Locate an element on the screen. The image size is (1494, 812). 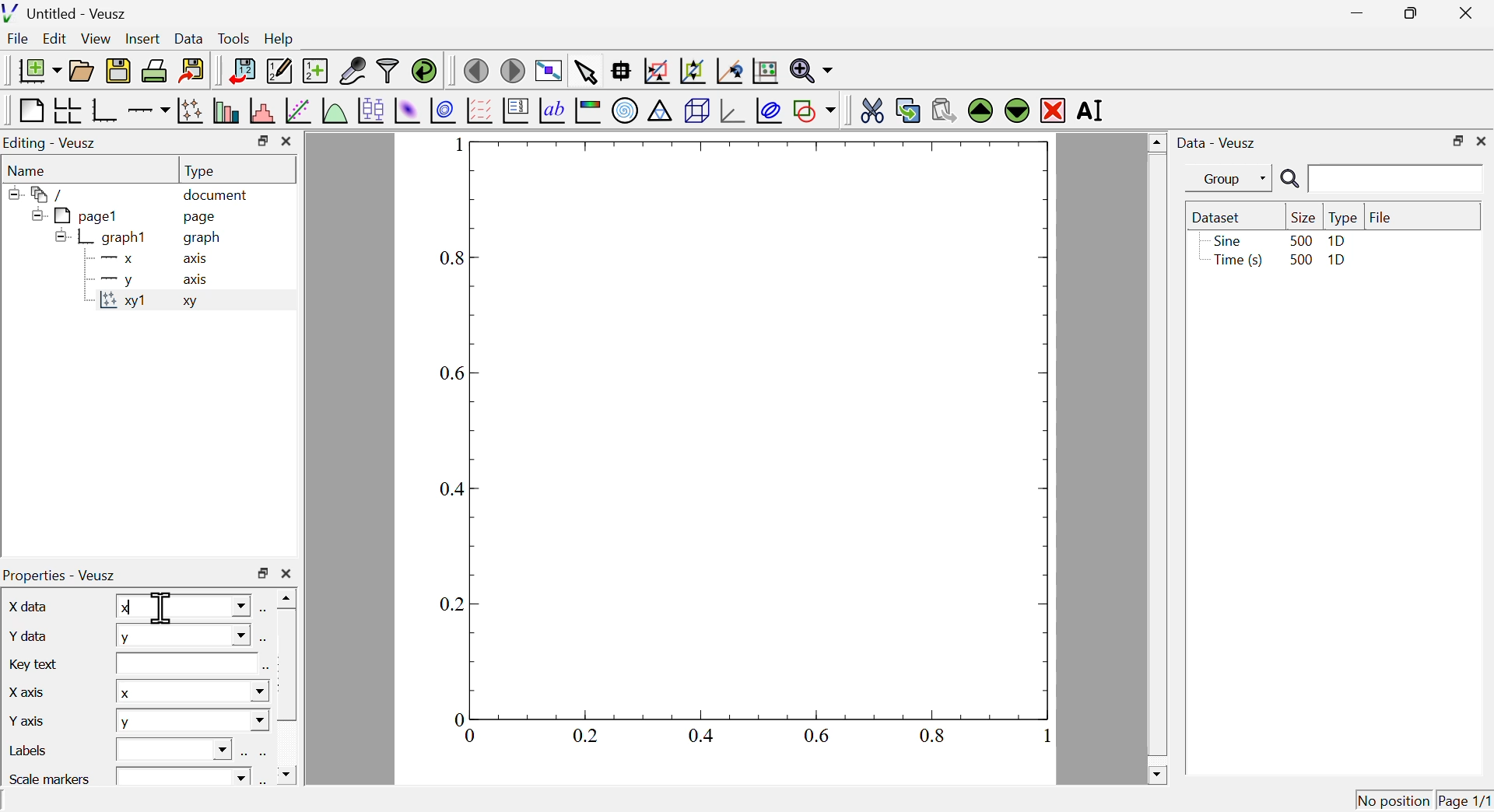
new document is located at coordinates (35, 70).